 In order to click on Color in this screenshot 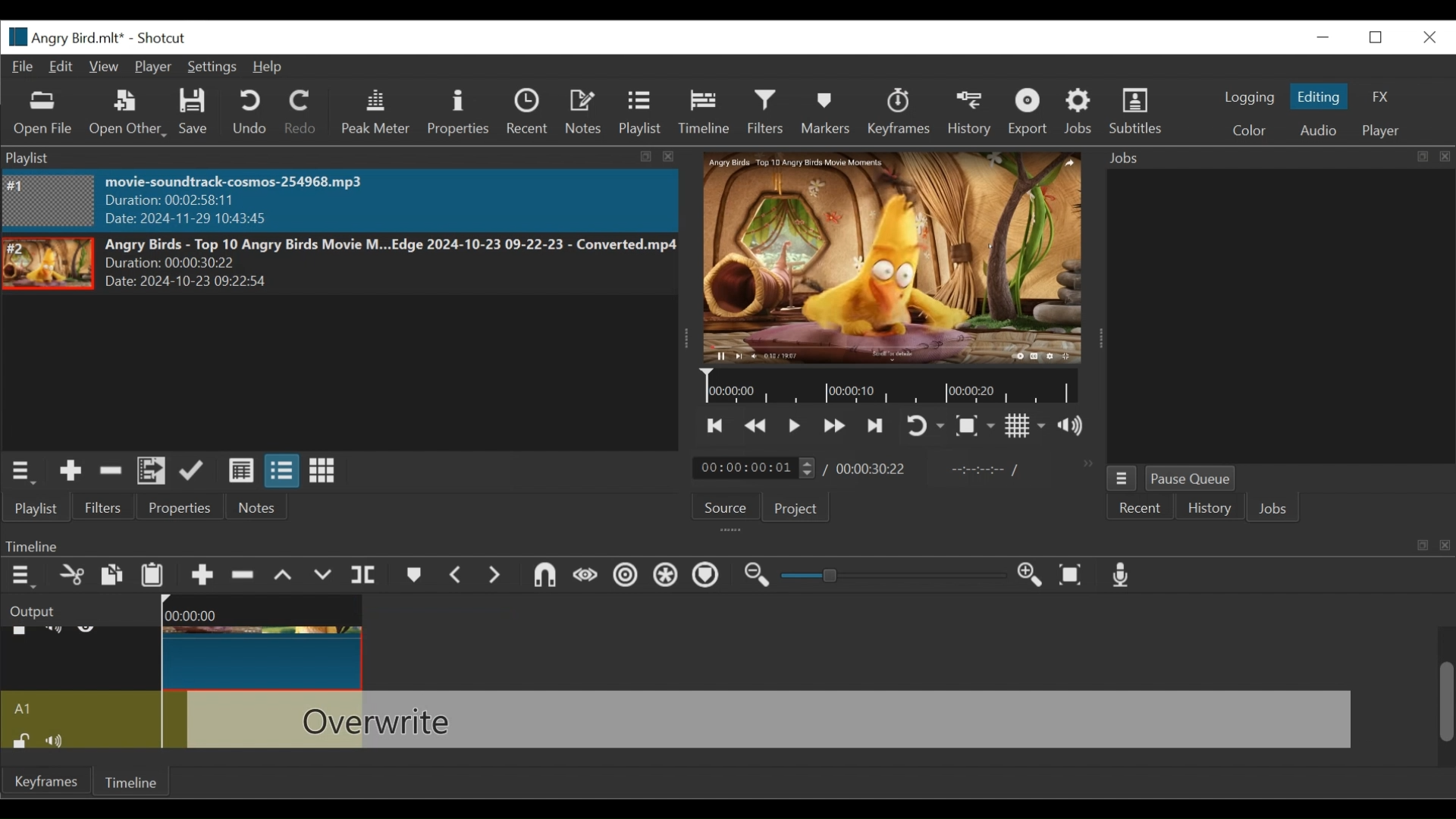, I will do `click(1250, 131)`.